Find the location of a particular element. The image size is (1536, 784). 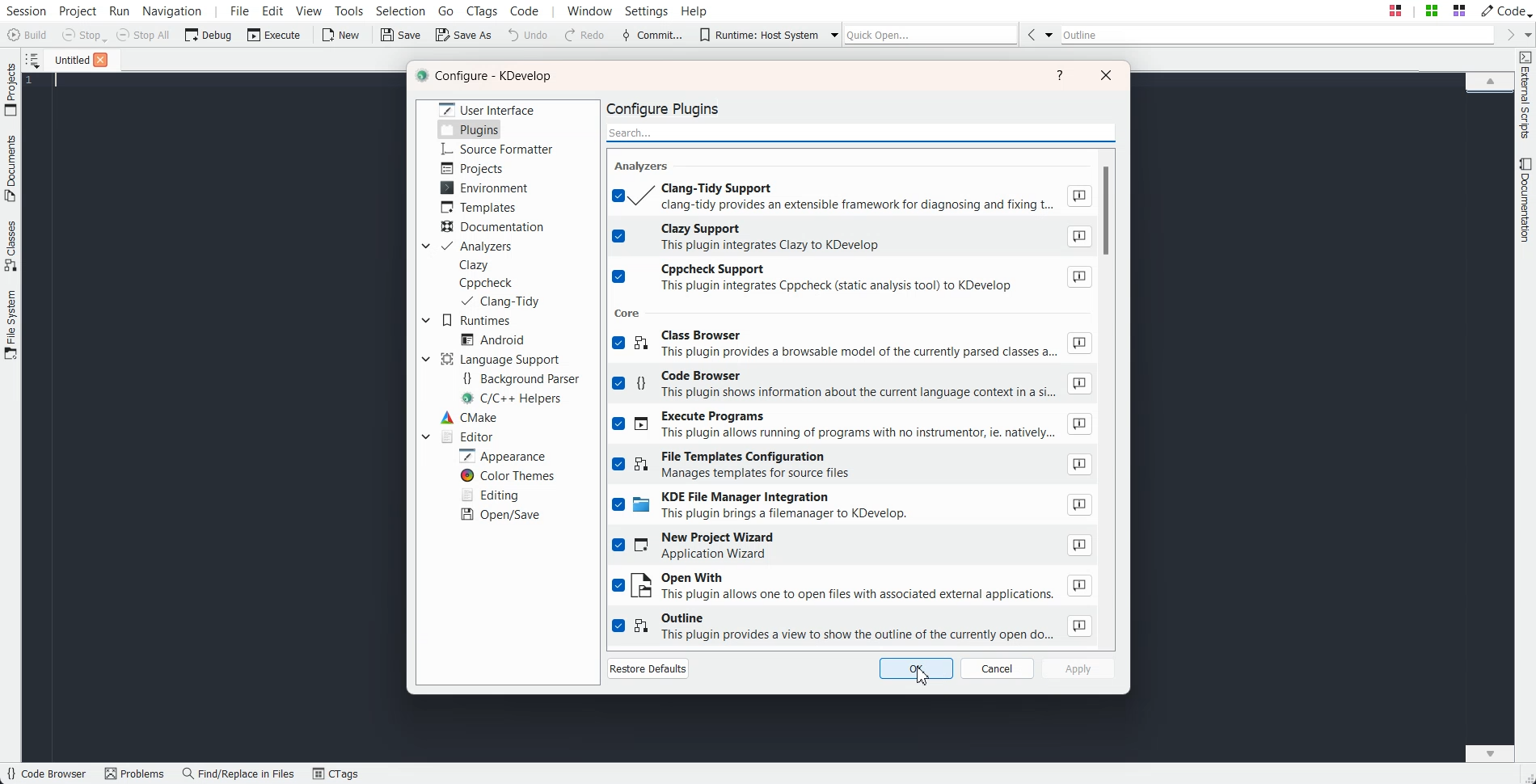

Text is located at coordinates (487, 77).